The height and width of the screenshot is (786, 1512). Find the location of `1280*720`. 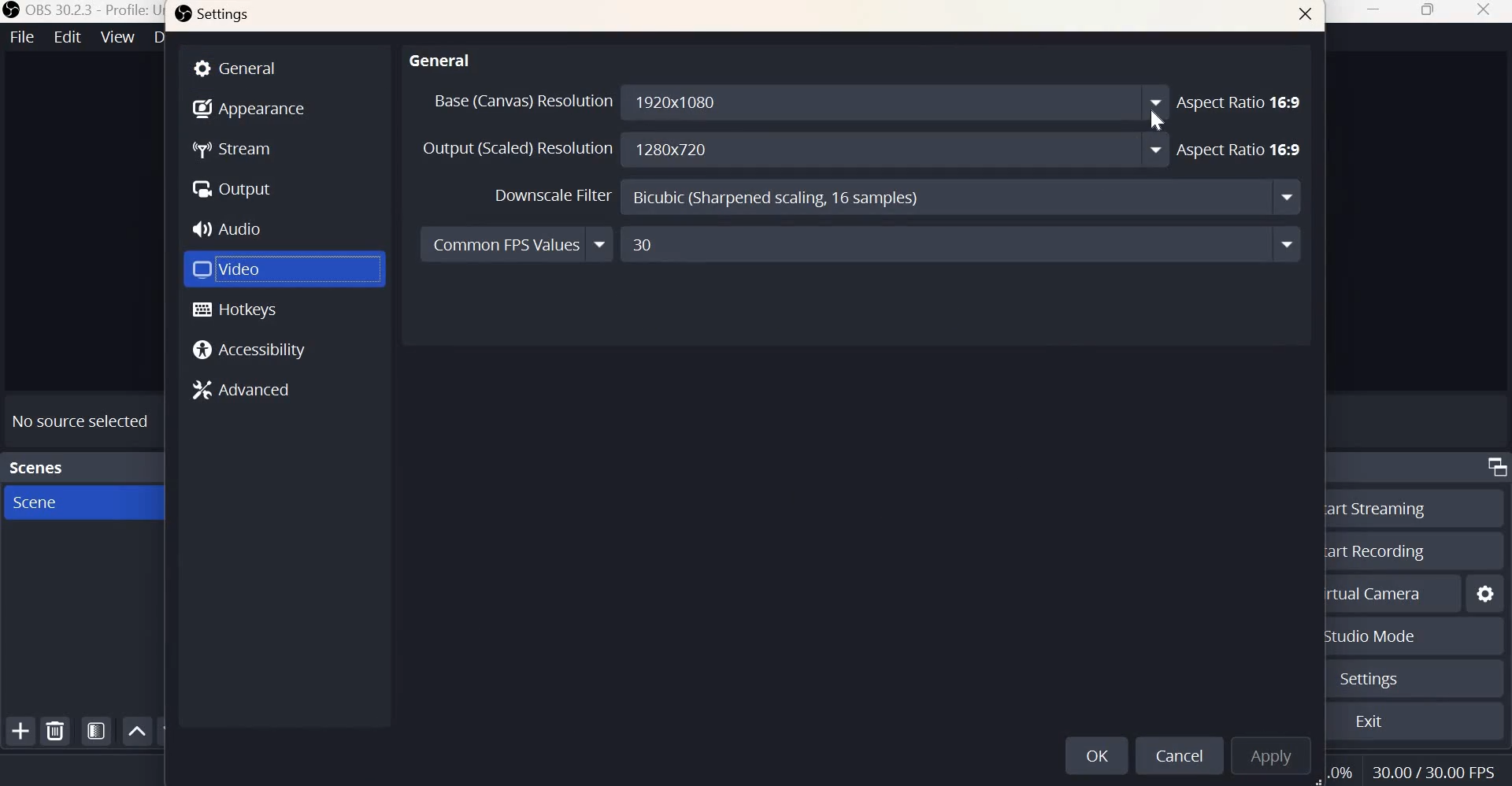

1280*720 is located at coordinates (895, 151).